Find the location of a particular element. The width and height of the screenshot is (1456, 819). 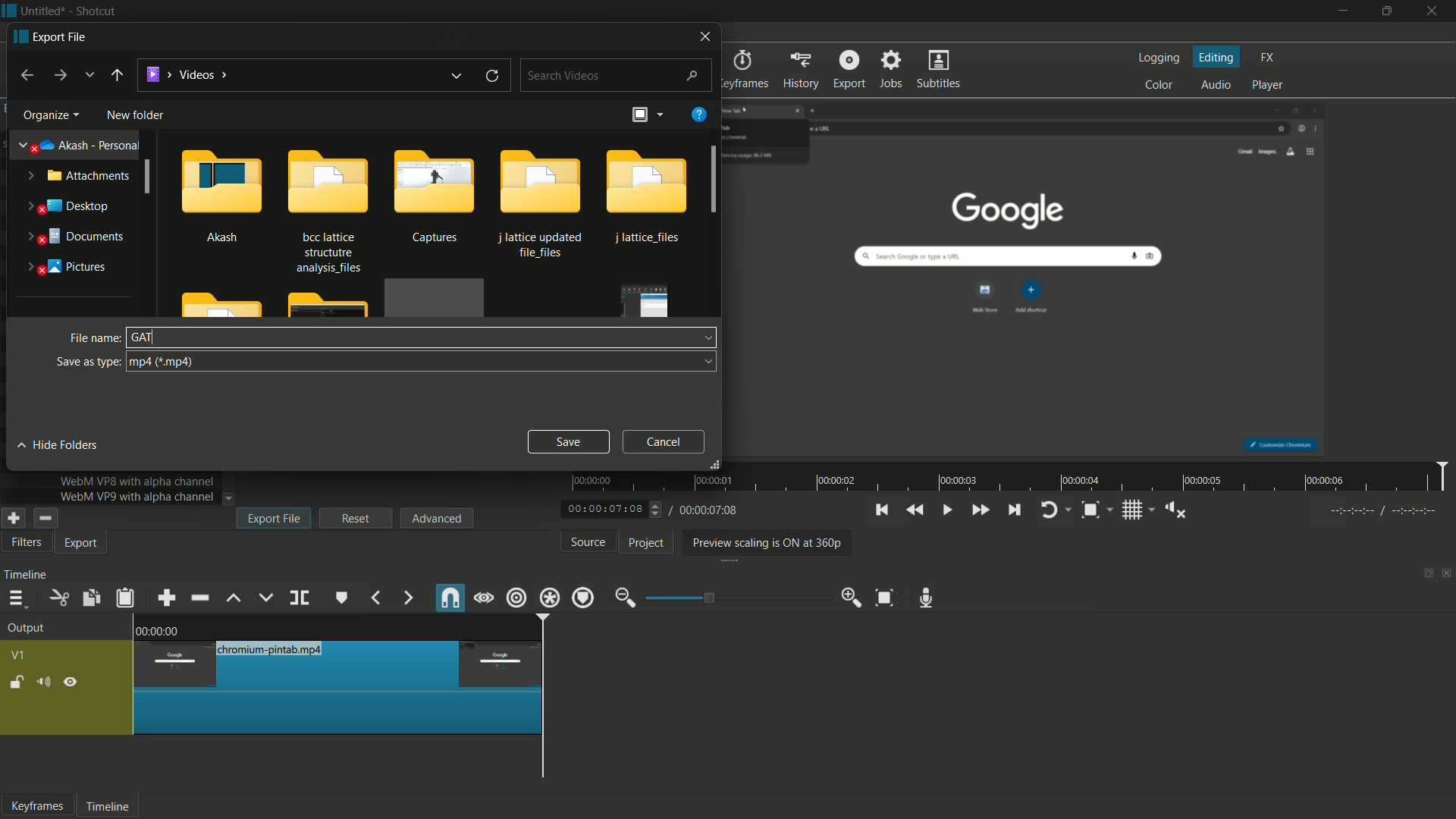

ripple is located at coordinates (516, 598).